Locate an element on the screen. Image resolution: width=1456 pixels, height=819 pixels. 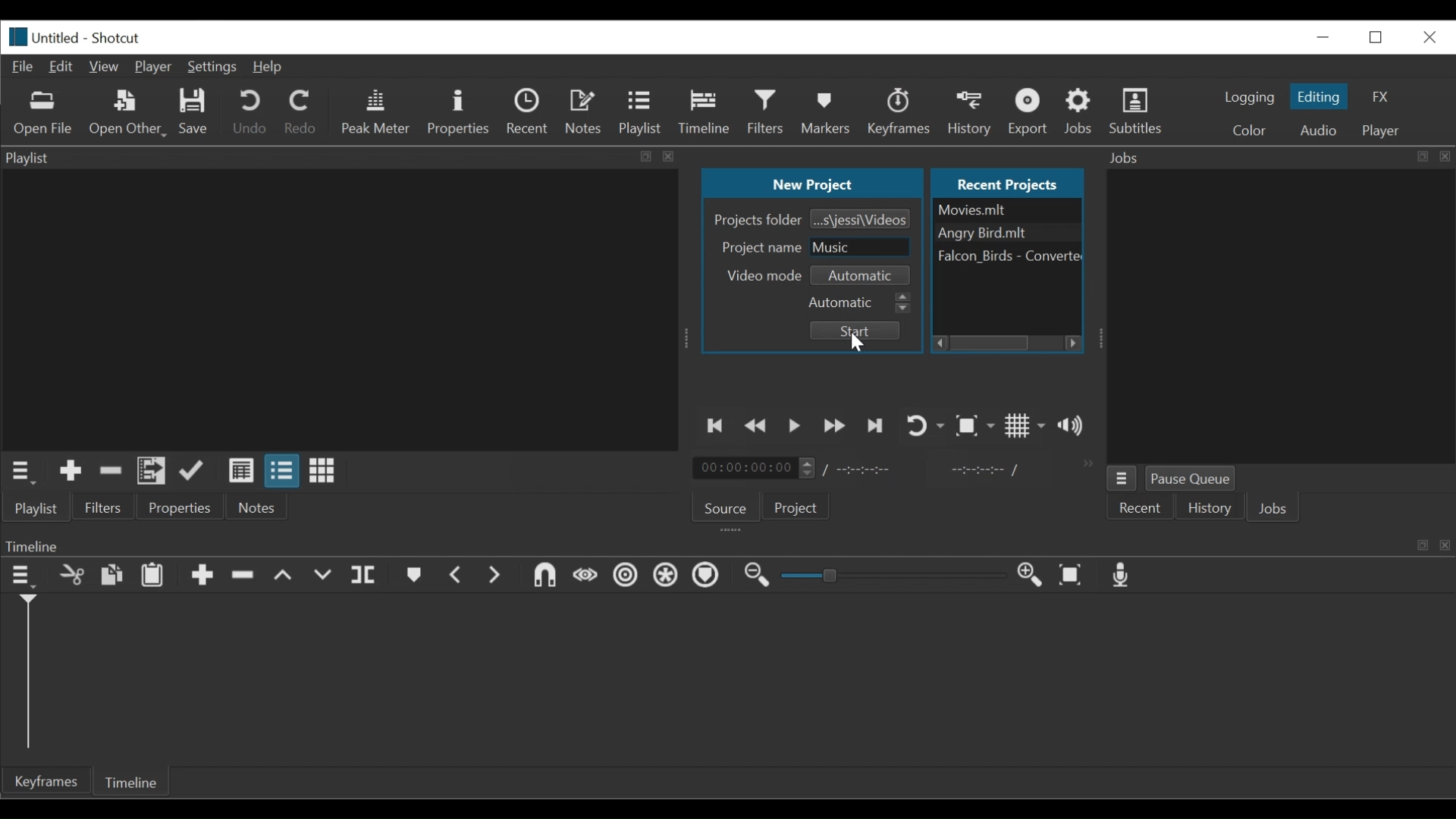
Toggle player looping is located at coordinates (926, 425).